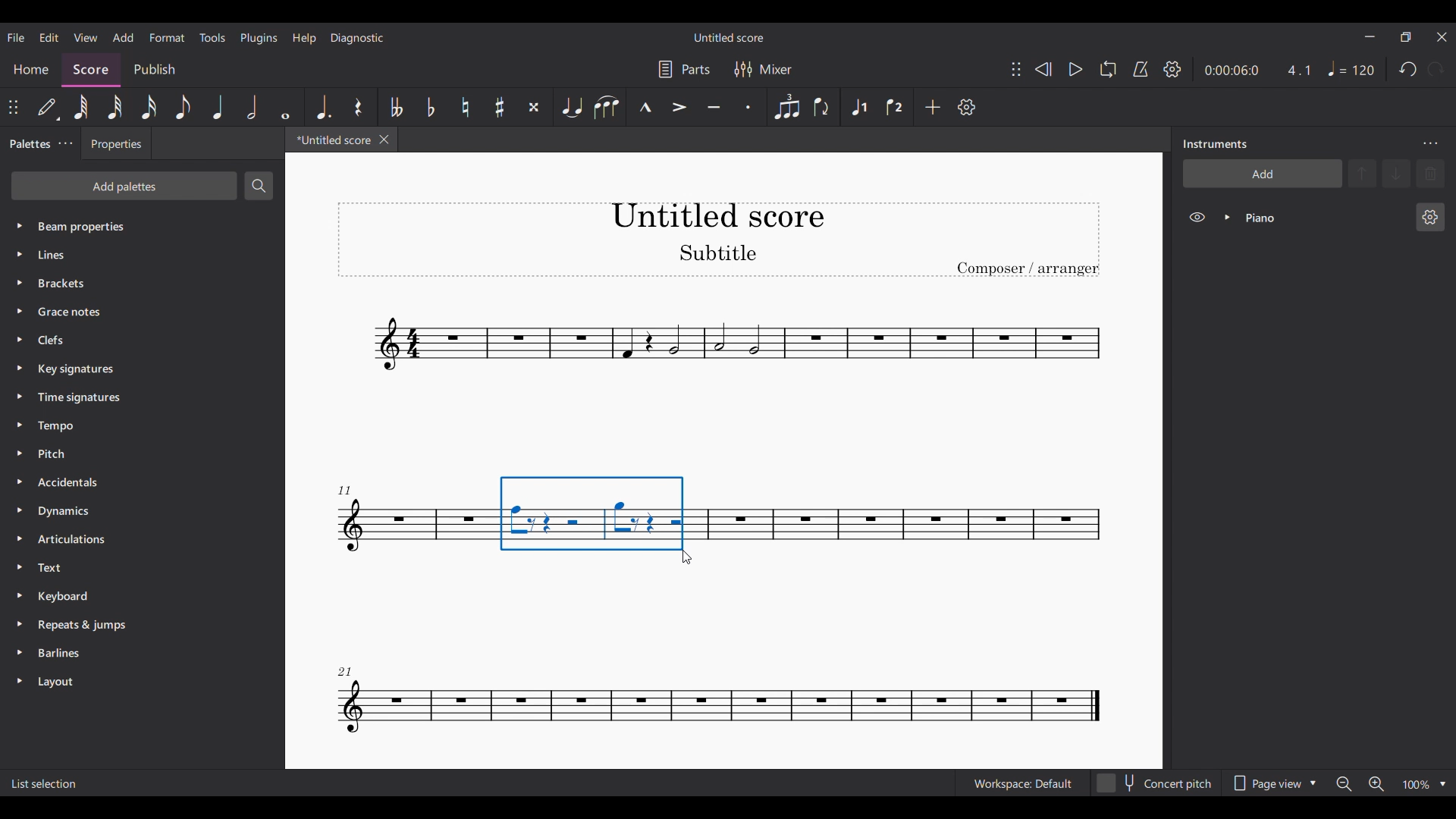 This screenshot has height=819, width=1456. Describe the element at coordinates (1405, 36) in the screenshot. I see `Show in smaller tab` at that location.